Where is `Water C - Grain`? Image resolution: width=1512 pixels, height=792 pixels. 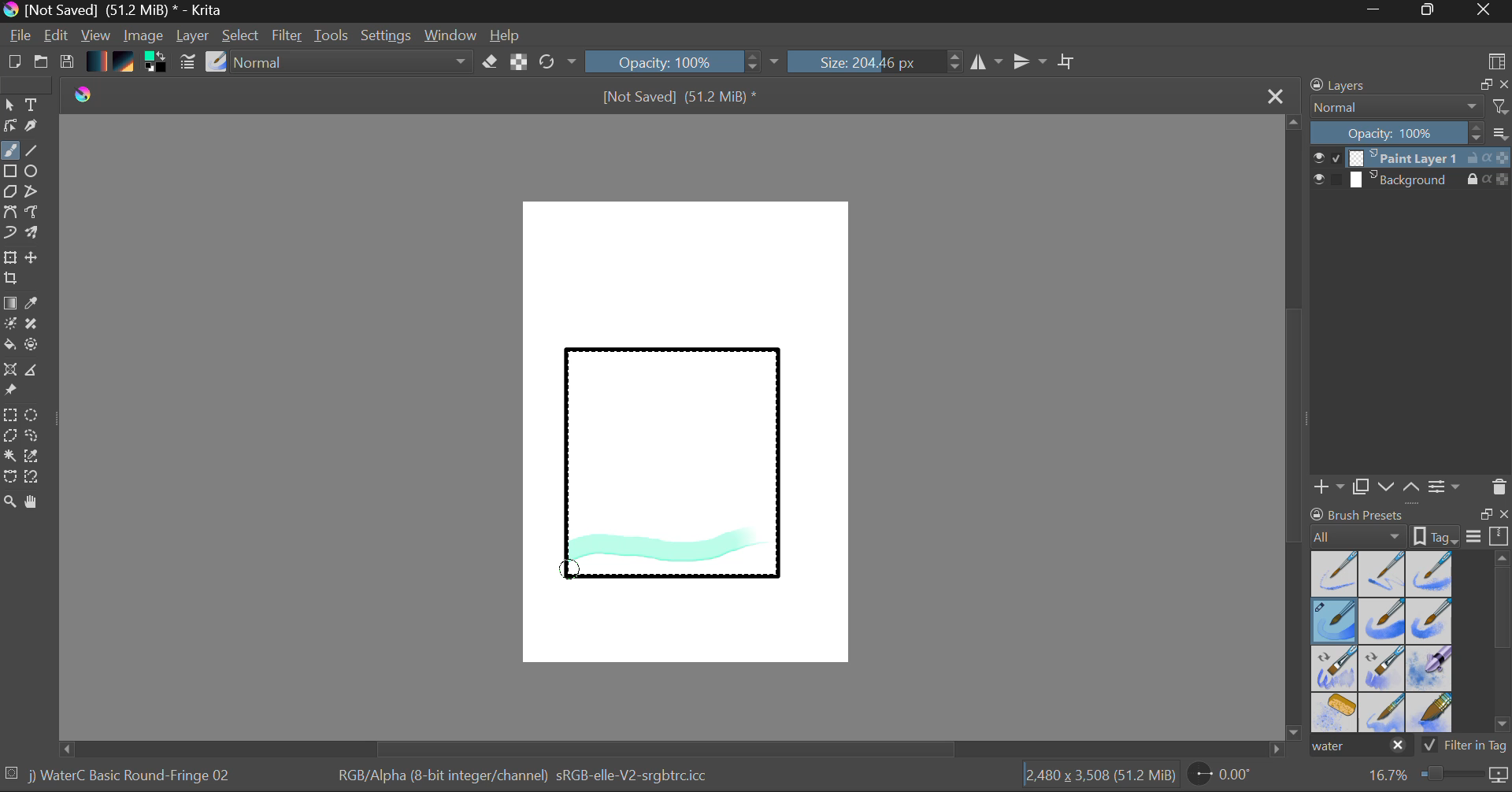 Water C - Grain is located at coordinates (1383, 622).